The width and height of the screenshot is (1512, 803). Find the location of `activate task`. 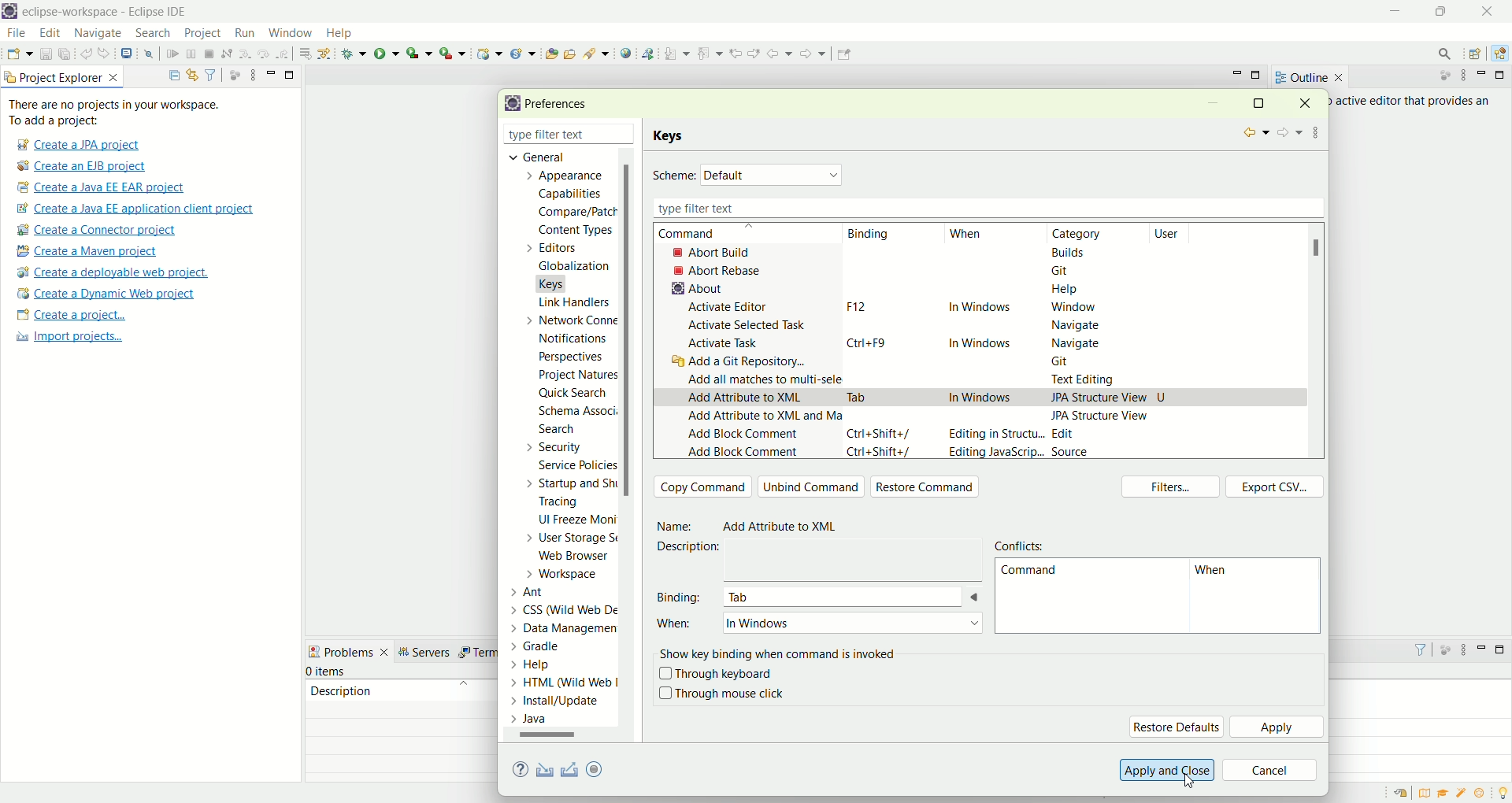

activate task is located at coordinates (724, 344).